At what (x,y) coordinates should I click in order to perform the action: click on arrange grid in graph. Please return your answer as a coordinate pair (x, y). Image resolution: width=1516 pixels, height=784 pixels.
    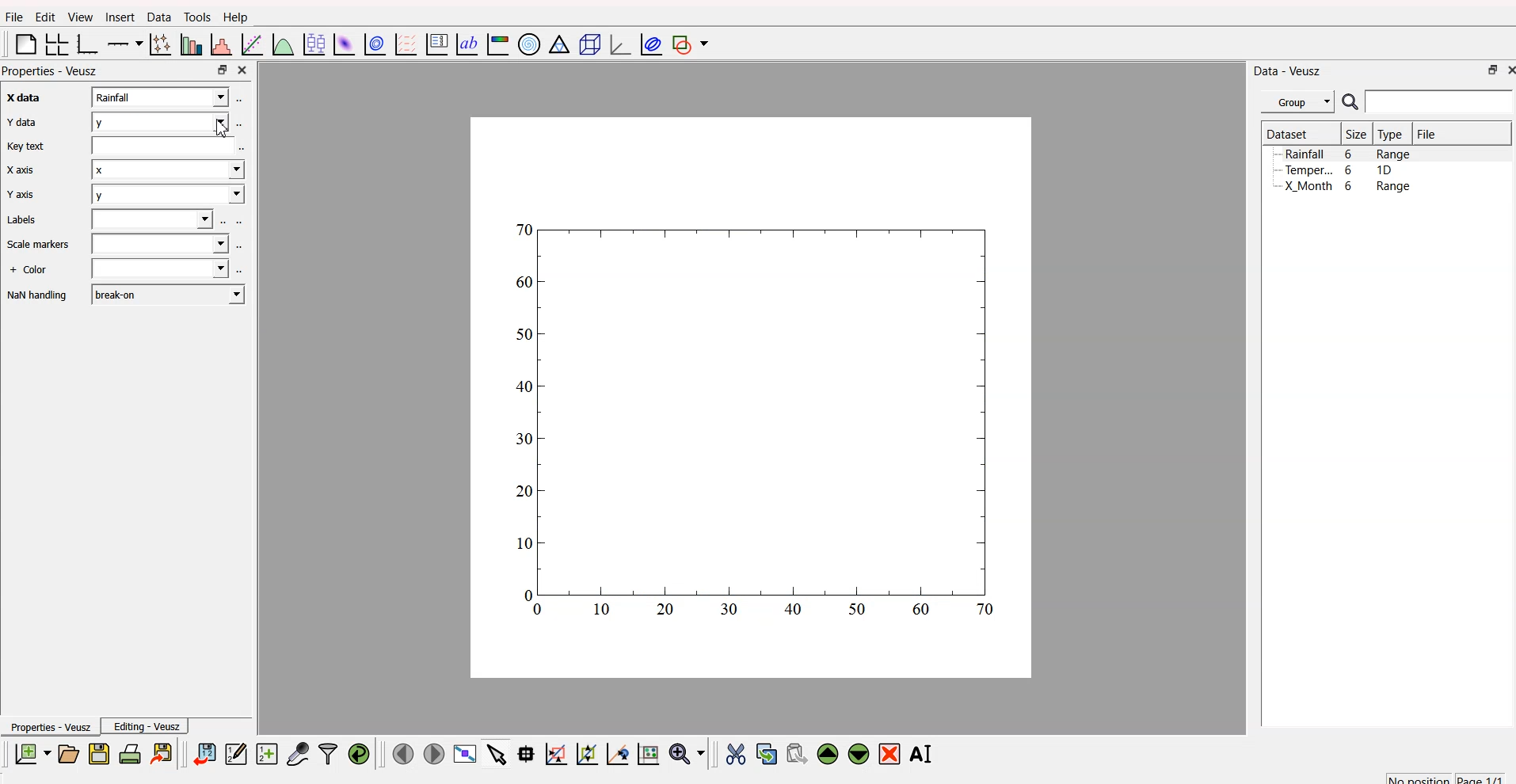
    Looking at the image, I should click on (55, 45).